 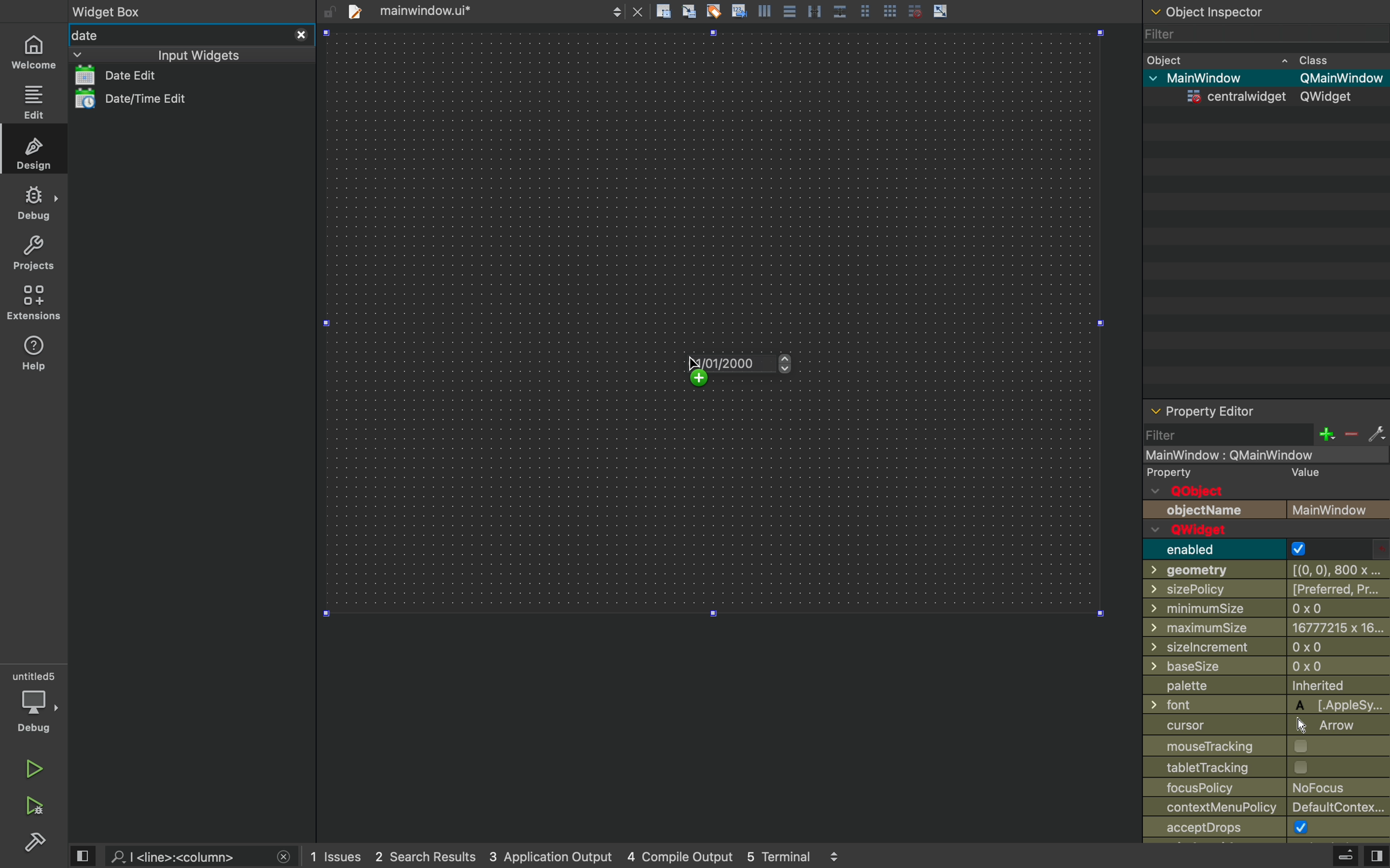 I want to click on geometry, so click(x=1268, y=571).